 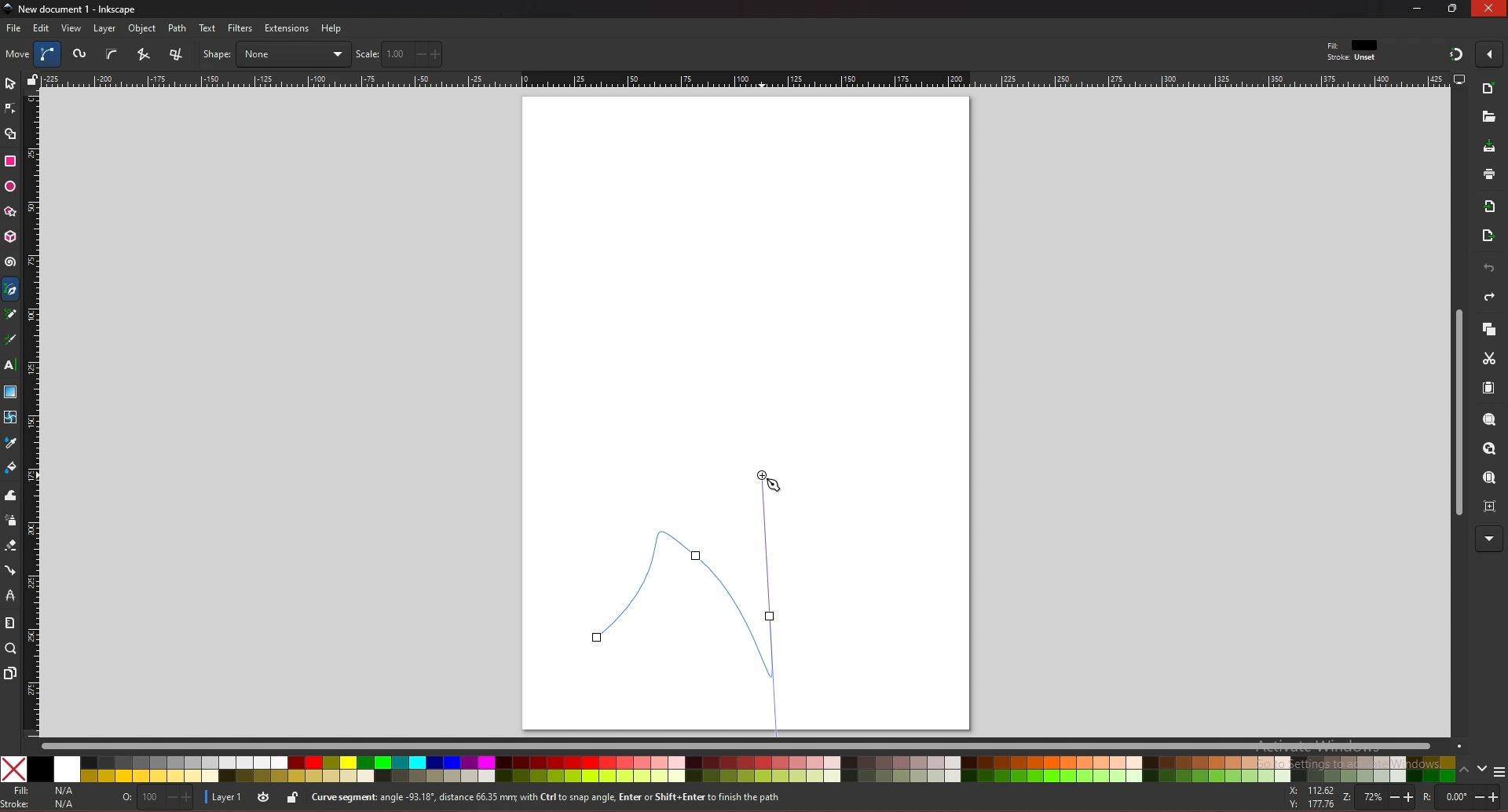 What do you see at coordinates (11, 594) in the screenshot?
I see `lpe` at bounding box center [11, 594].